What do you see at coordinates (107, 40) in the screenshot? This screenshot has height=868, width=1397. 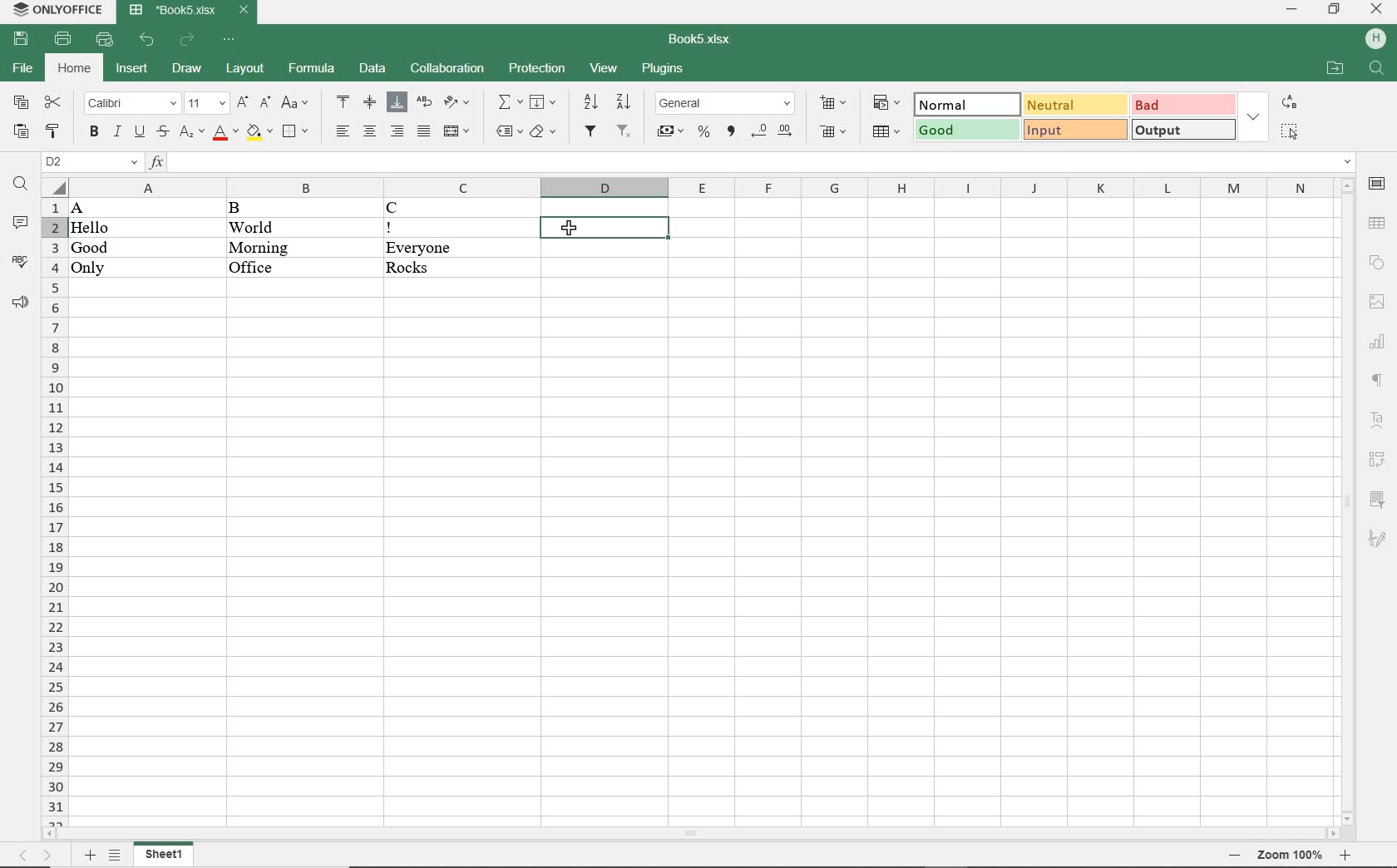 I see `QUICK PRINT` at bounding box center [107, 40].